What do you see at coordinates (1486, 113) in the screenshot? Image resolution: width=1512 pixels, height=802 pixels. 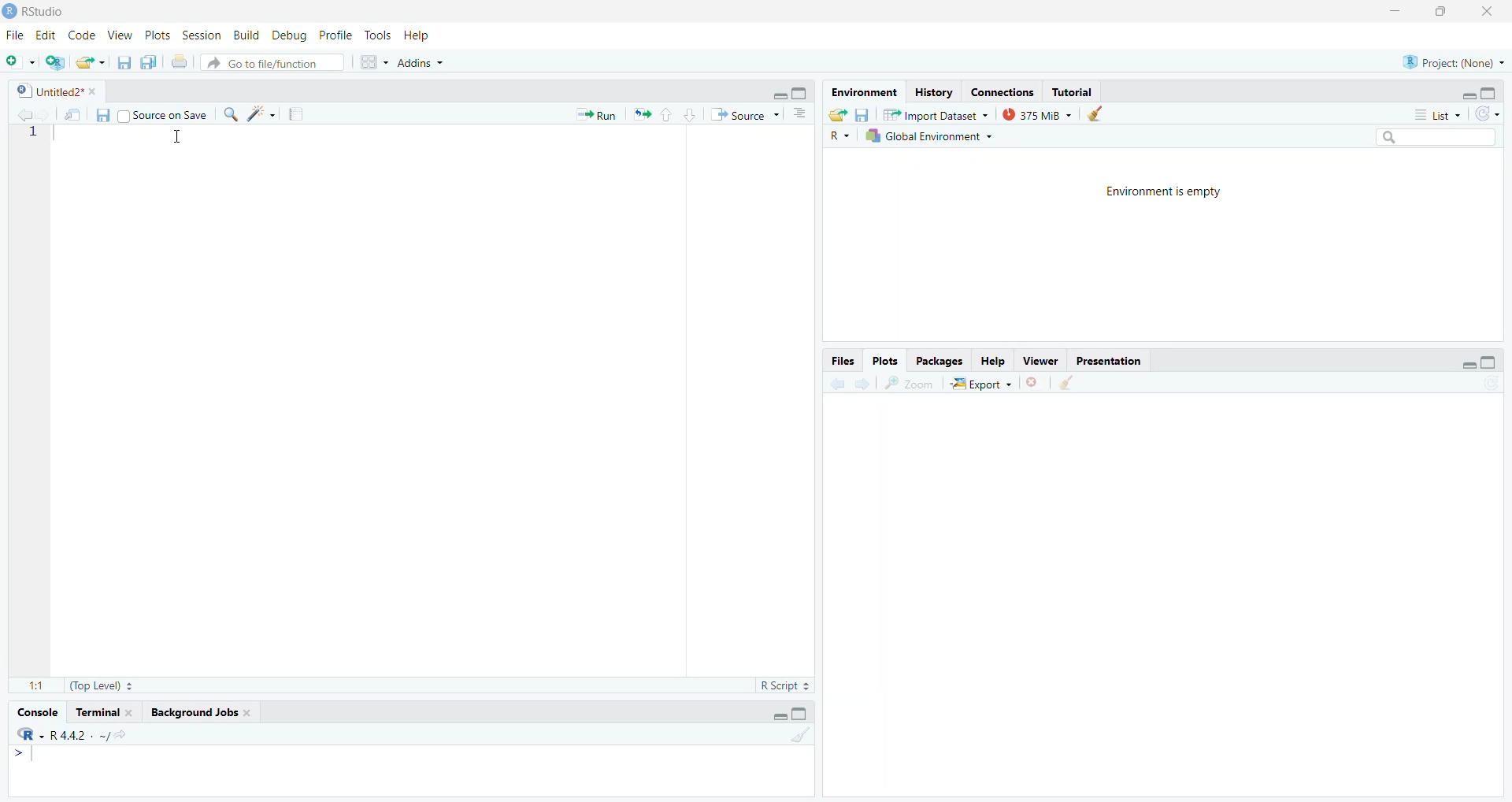 I see `refresh` at bounding box center [1486, 113].